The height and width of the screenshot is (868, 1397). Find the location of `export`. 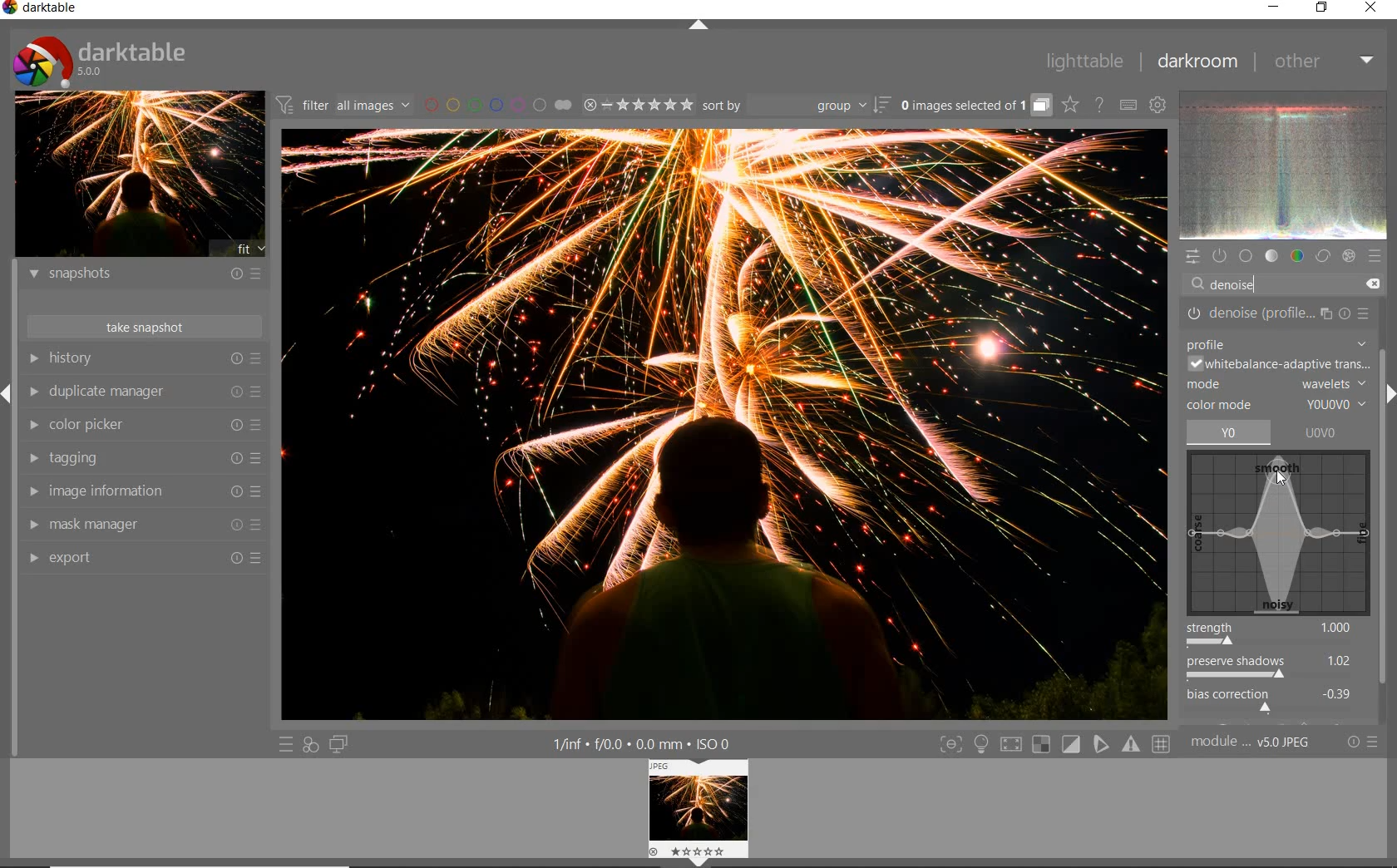

export is located at coordinates (143, 556).